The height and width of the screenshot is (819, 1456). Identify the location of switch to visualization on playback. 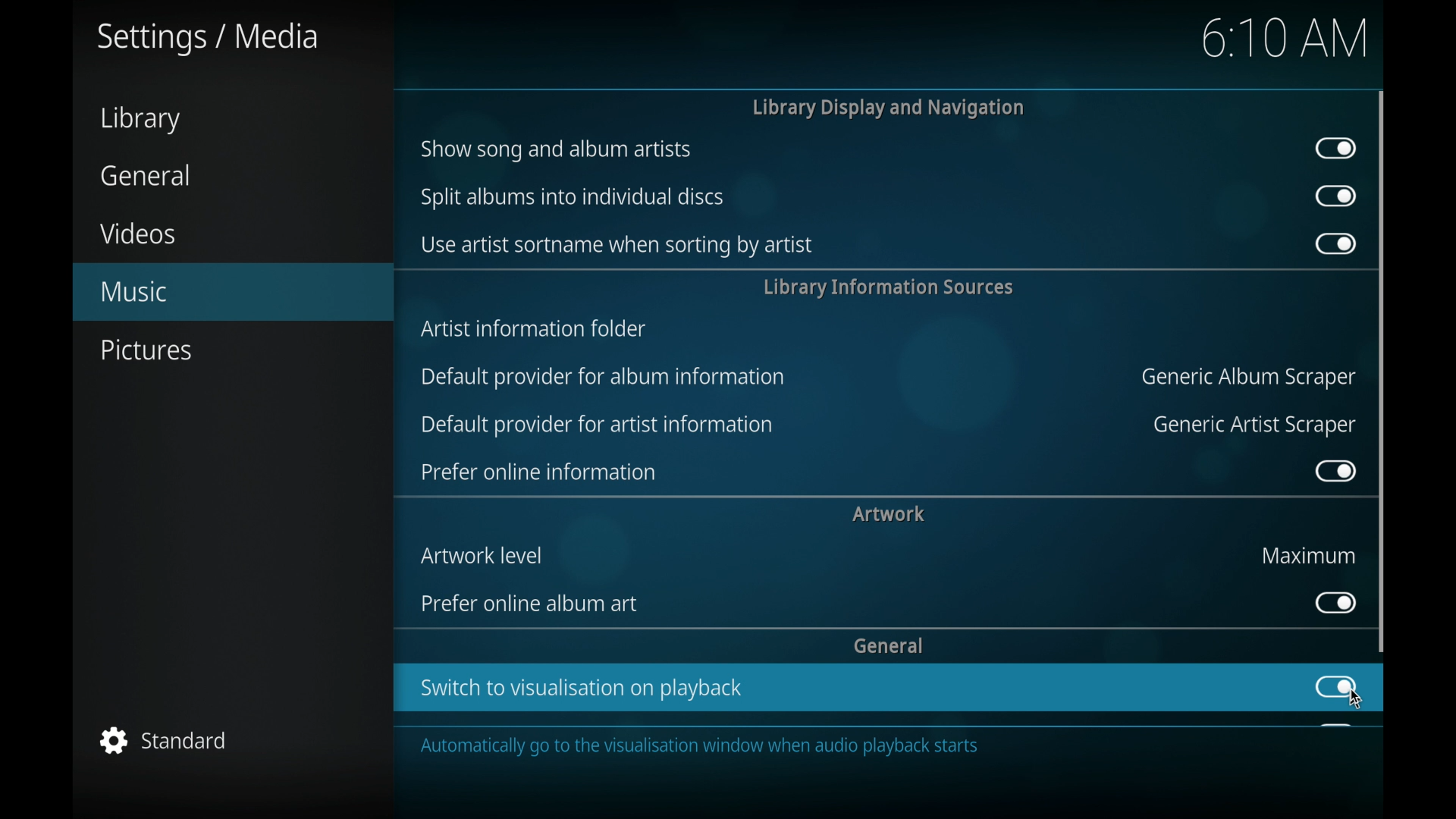
(583, 689).